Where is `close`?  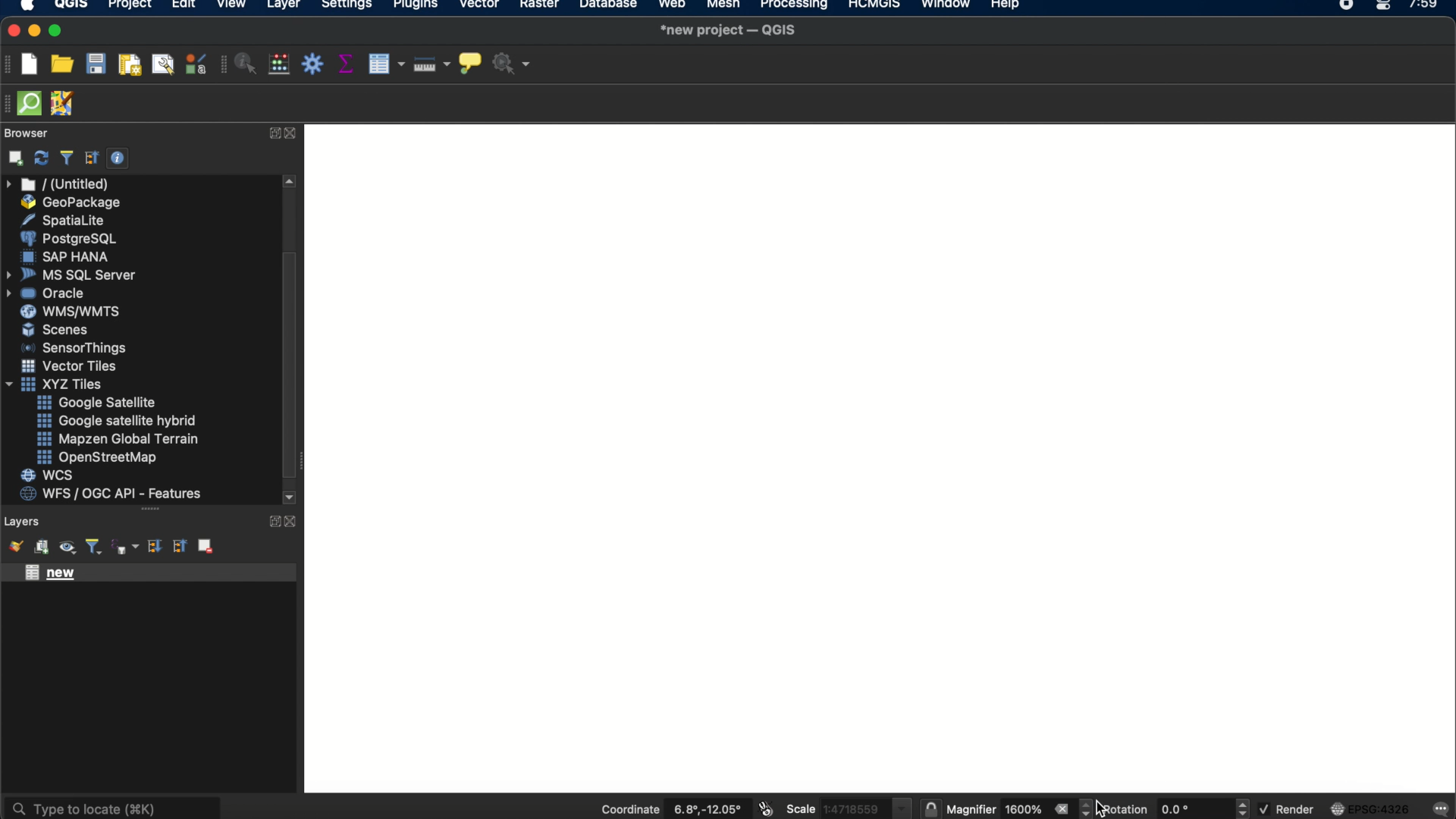 close is located at coordinates (14, 31).